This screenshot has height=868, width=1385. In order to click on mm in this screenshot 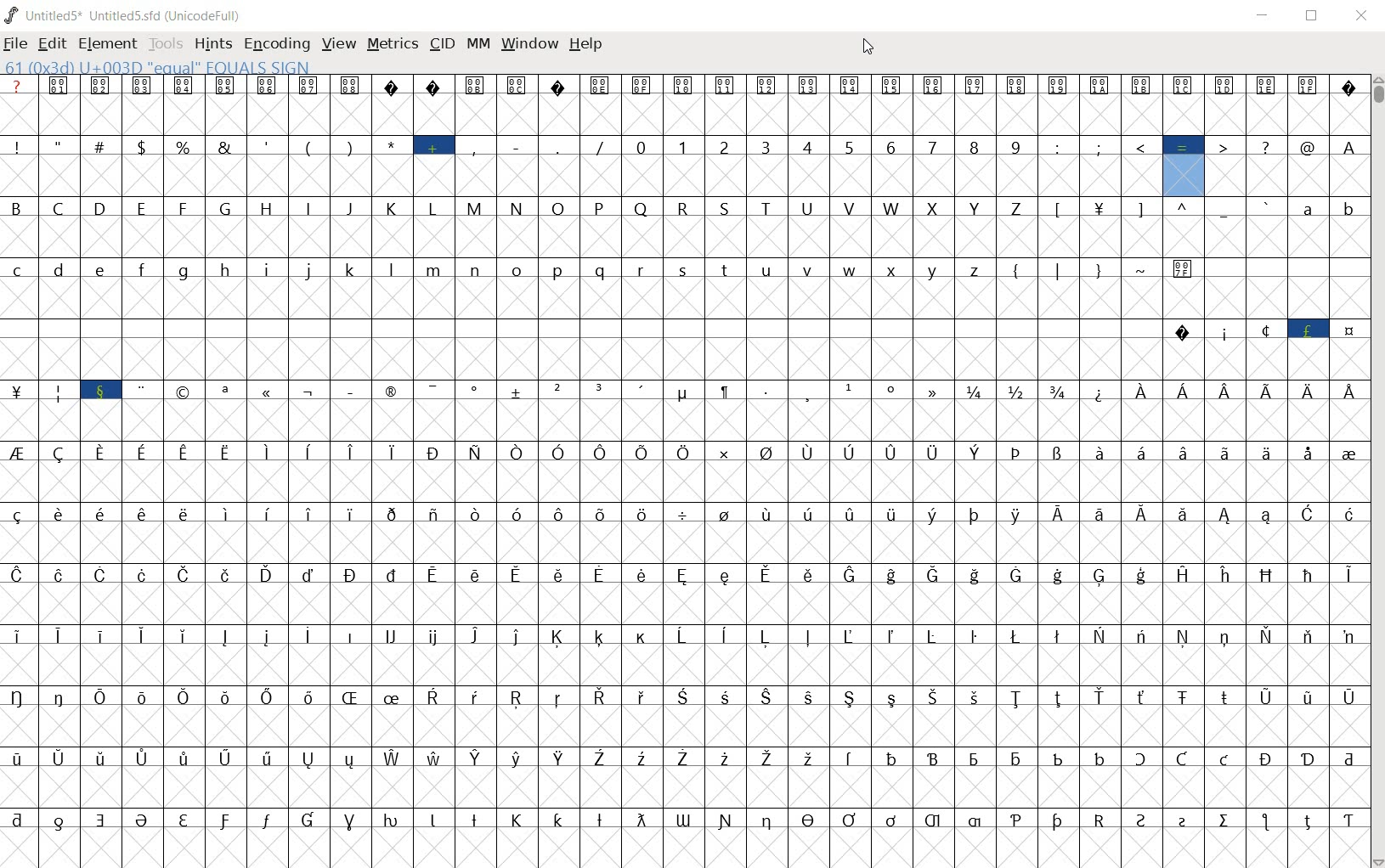, I will do `click(478, 45)`.